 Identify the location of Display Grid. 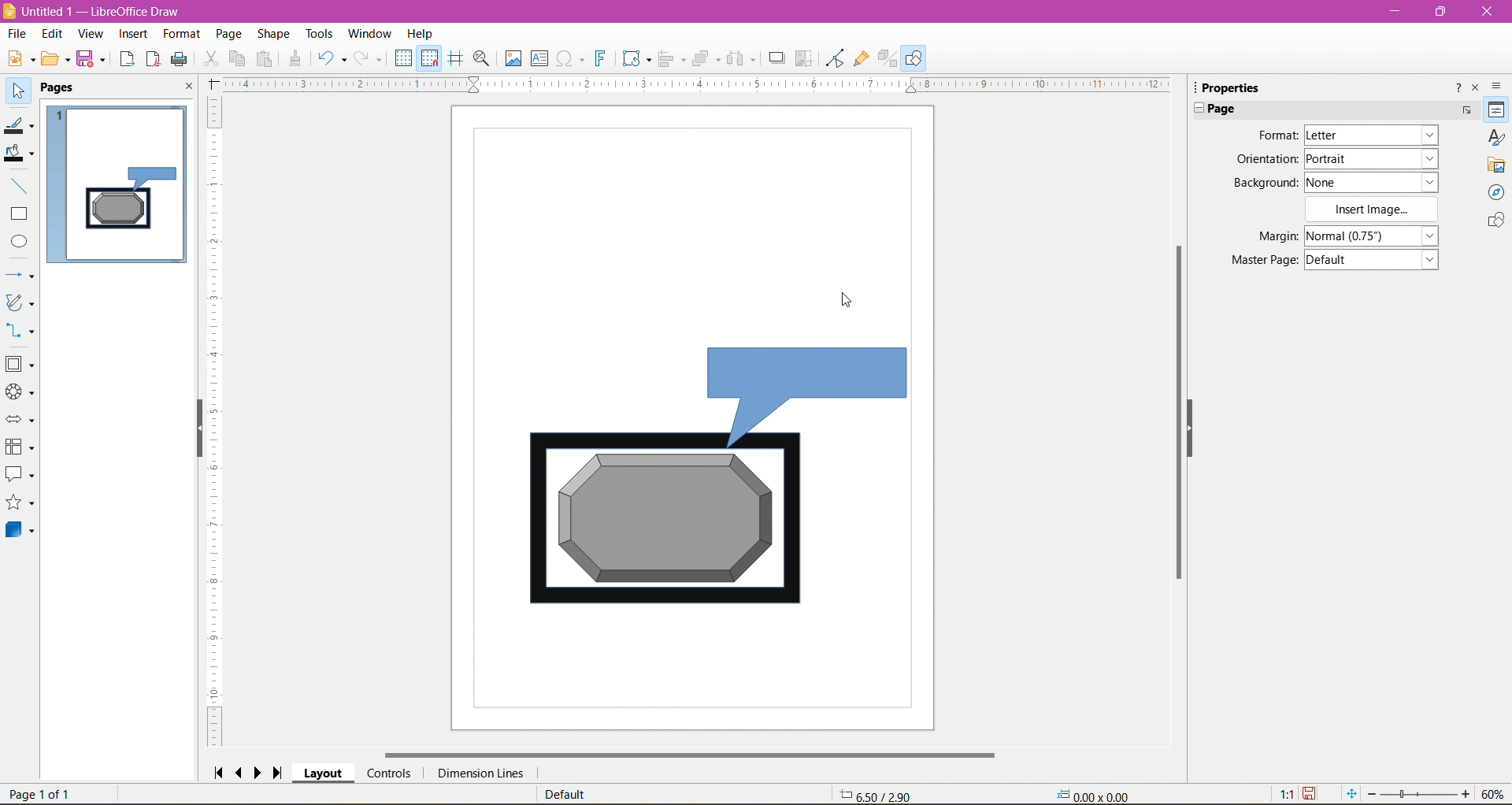
(403, 60).